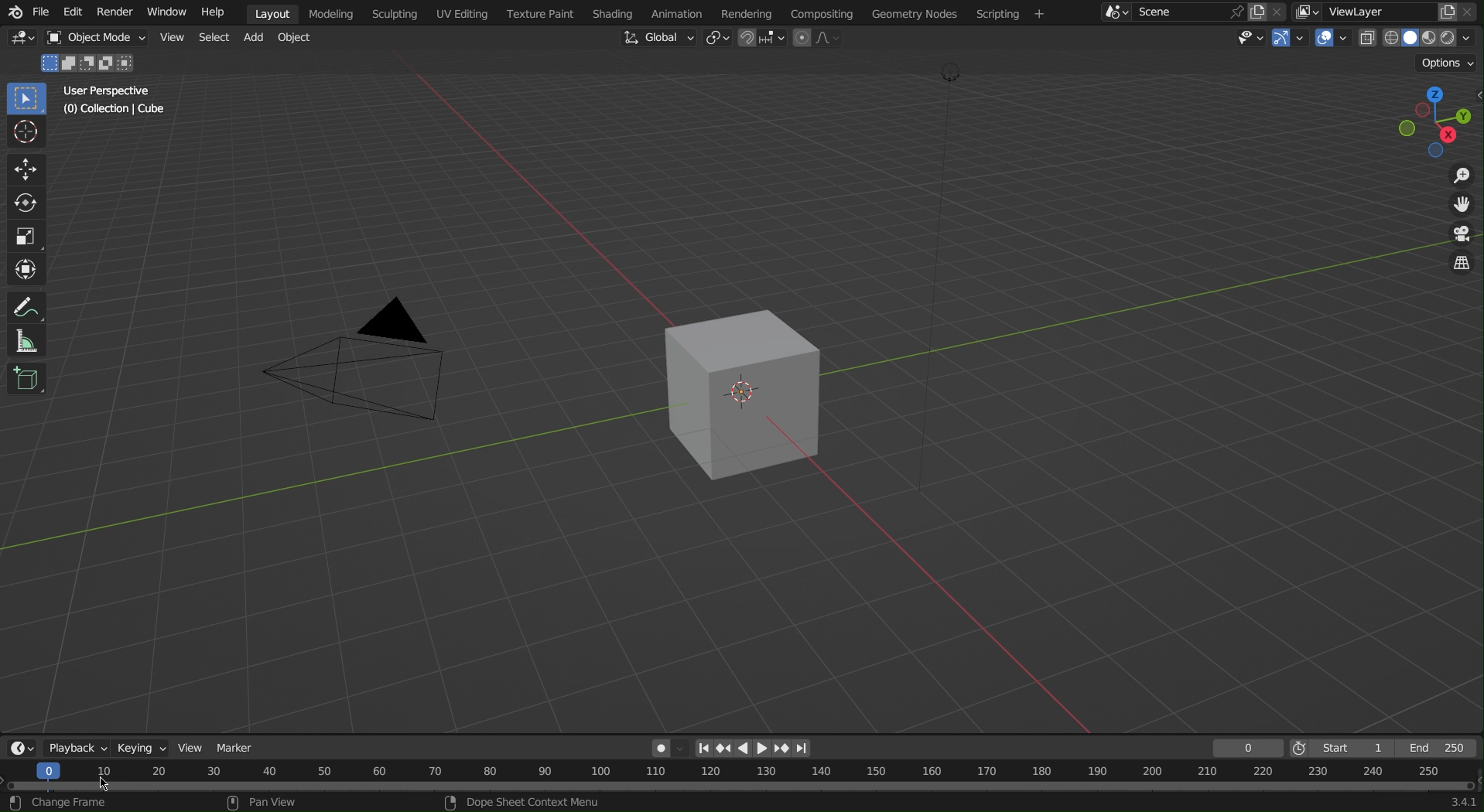  Describe the element at coordinates (27, 131) in the screenshot. I see `Cursor` at that location.